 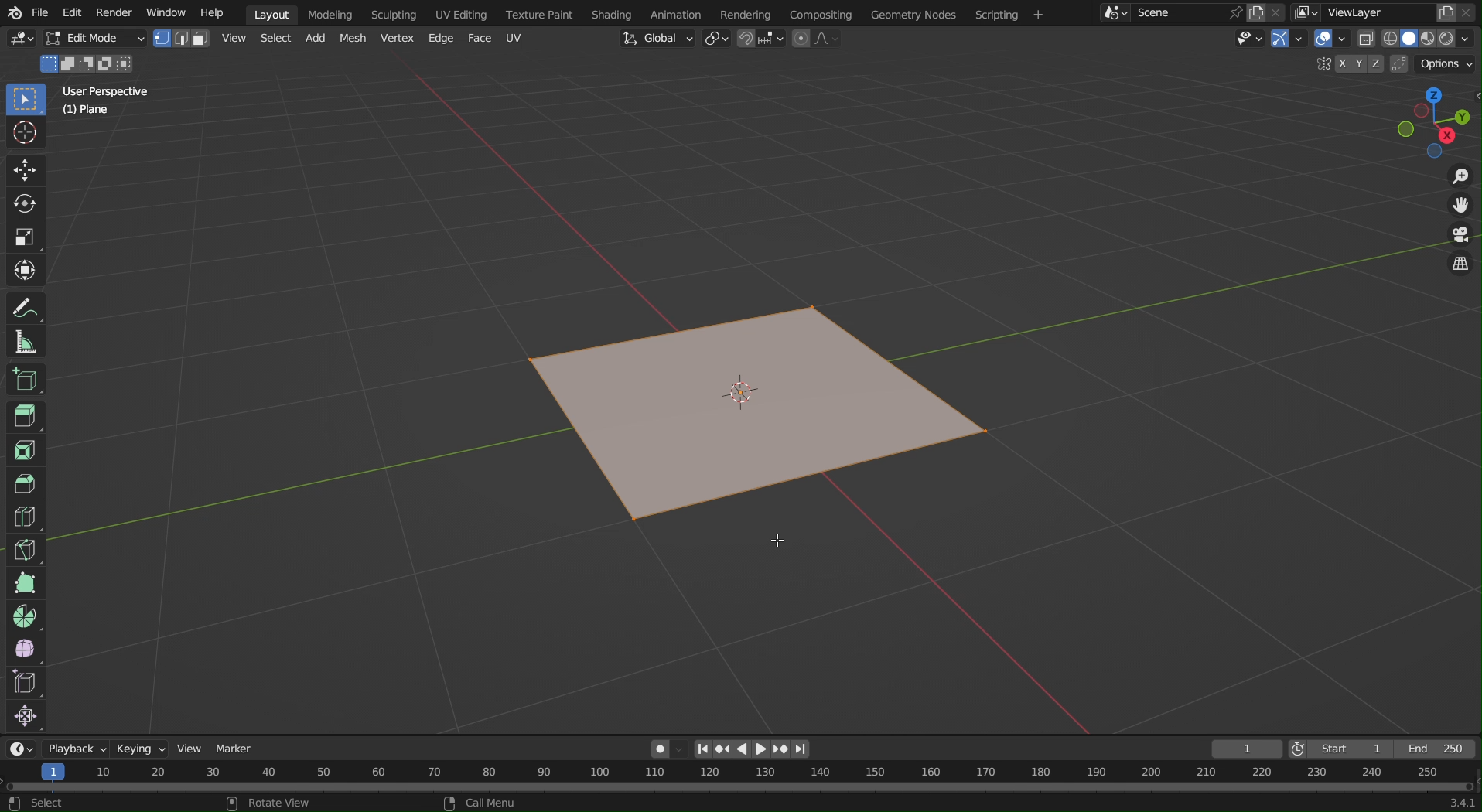 What do you see at coordinates (114, 12) in the screenshot?
I see `Render` at bounding box center [114, 12].